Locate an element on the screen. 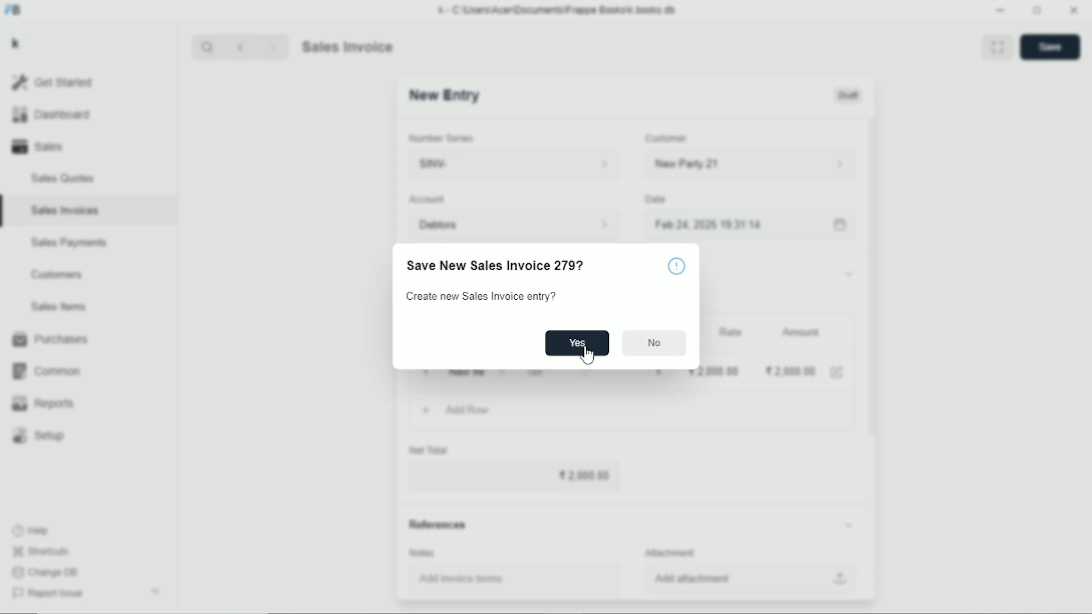 The height and width of the screenshot is (614, 1092). Toggle between form and full width is located at coordinates (1038, 11).